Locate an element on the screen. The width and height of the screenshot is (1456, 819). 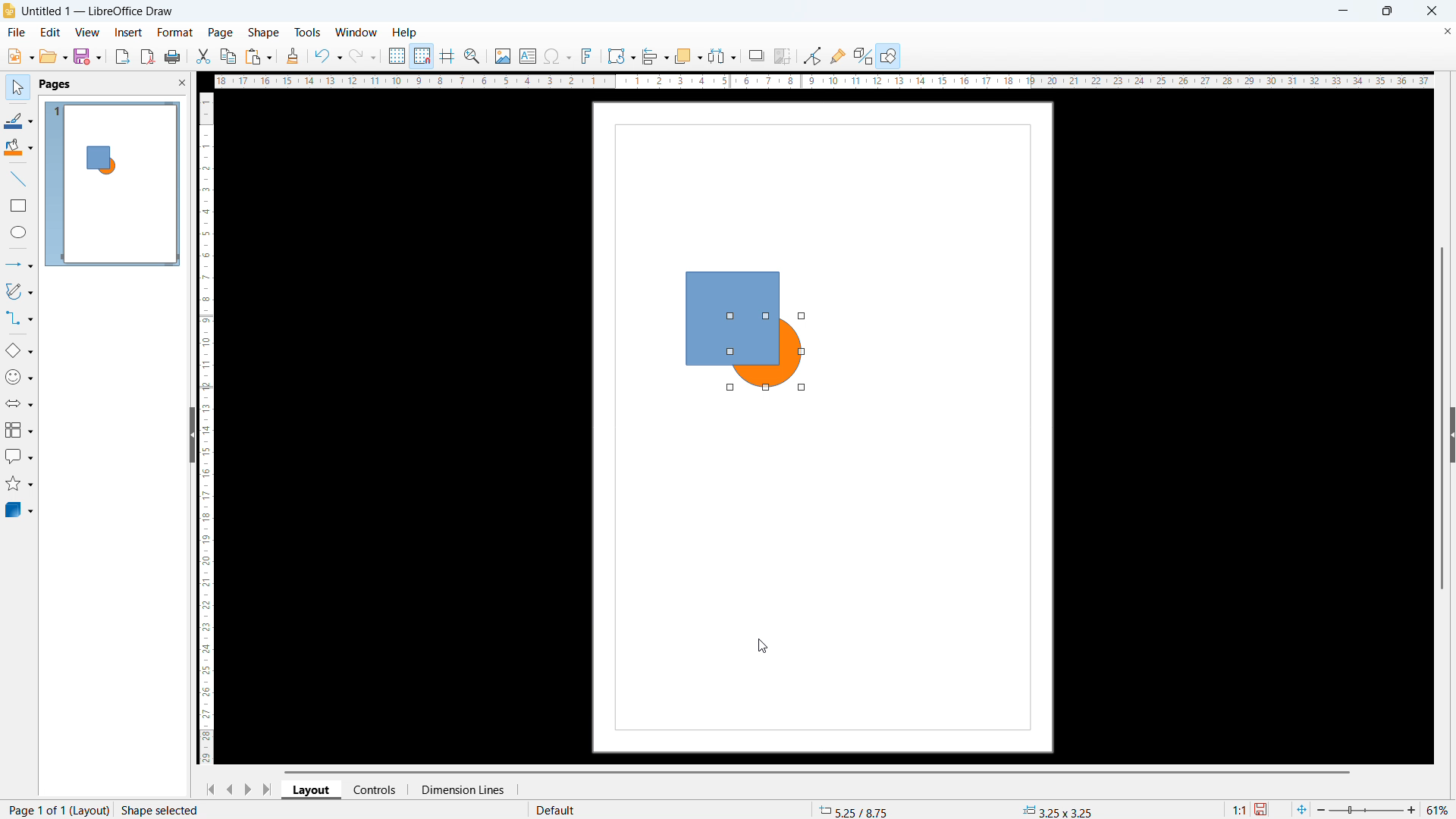
Format  is located at coordinates (176, 33).